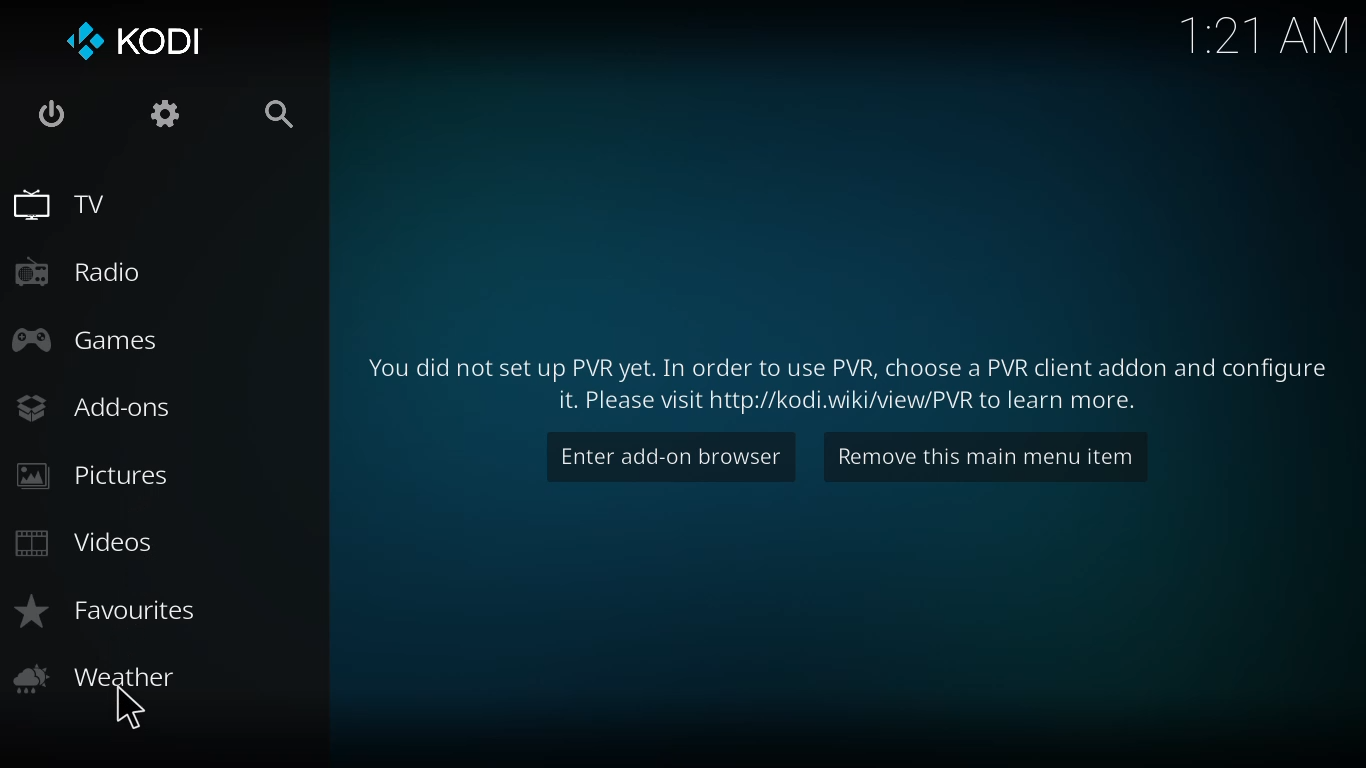  What do you see at coordinates (83, 542) in the screenshot?
I see `videos` at bounding box center [83, 542].